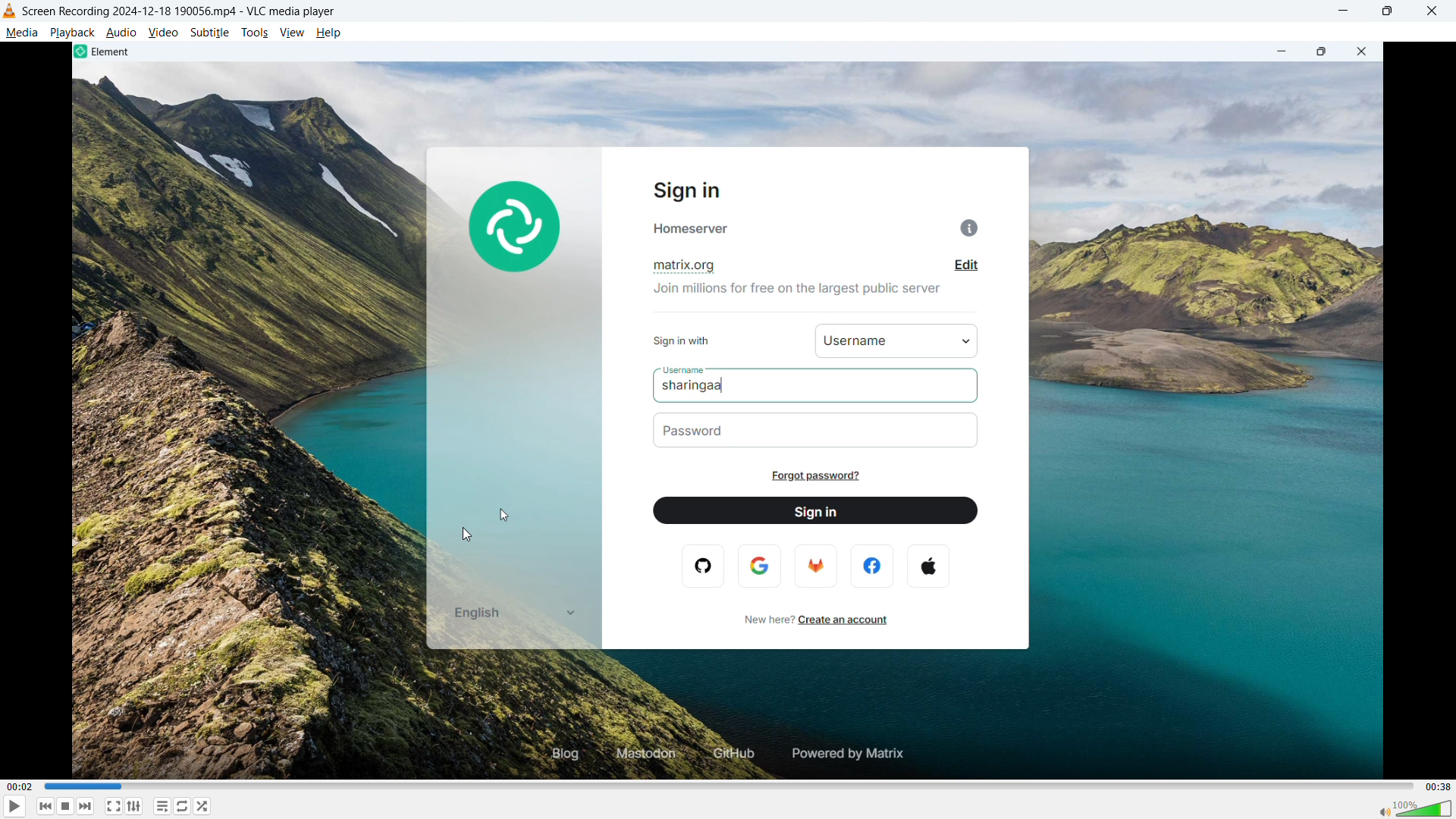  Describe the element at coordinates (210, 33) in the screenshot. I see `Subtitle ` at that location.